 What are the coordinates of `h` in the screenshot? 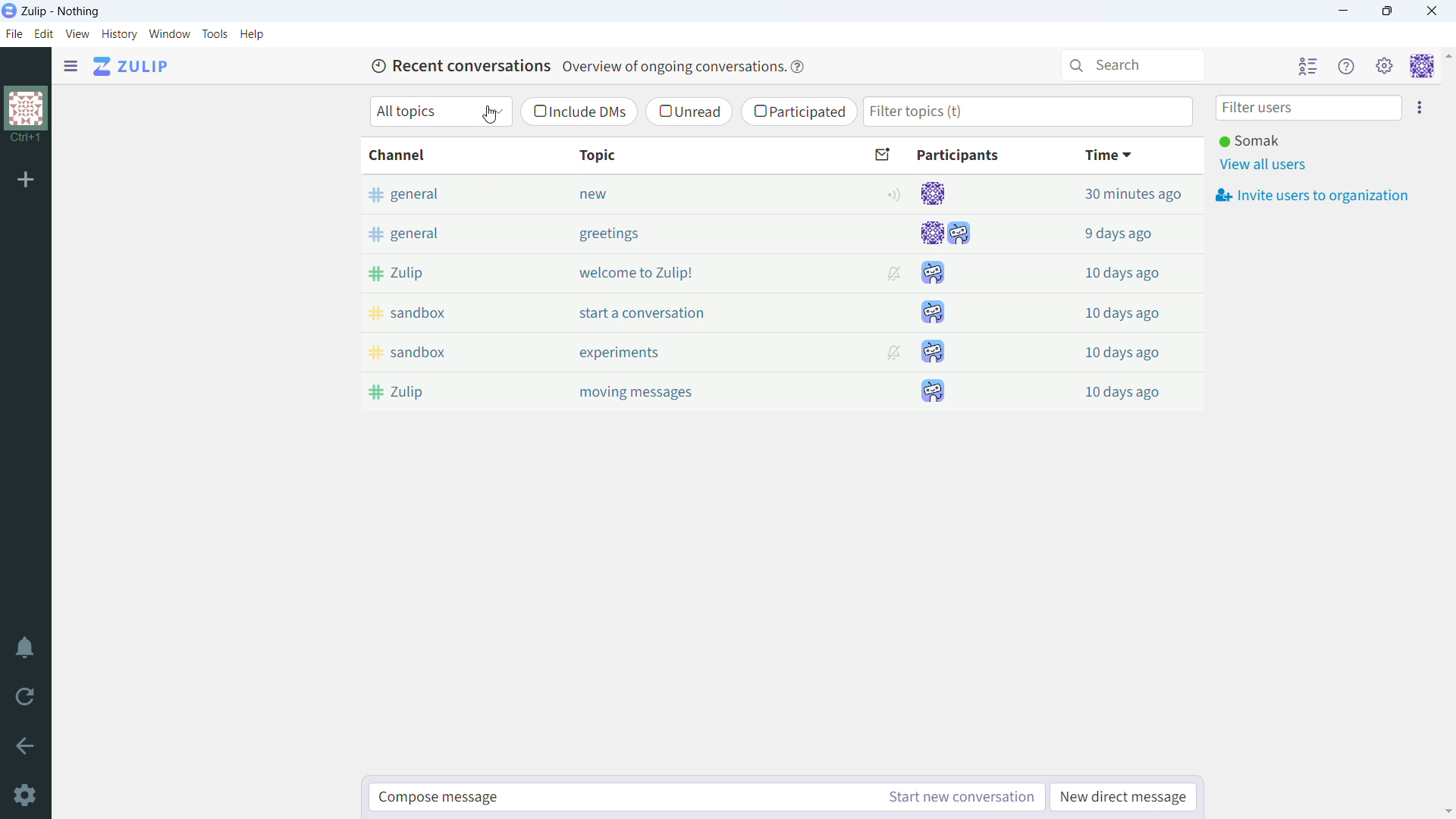 It's located at (253, 34).